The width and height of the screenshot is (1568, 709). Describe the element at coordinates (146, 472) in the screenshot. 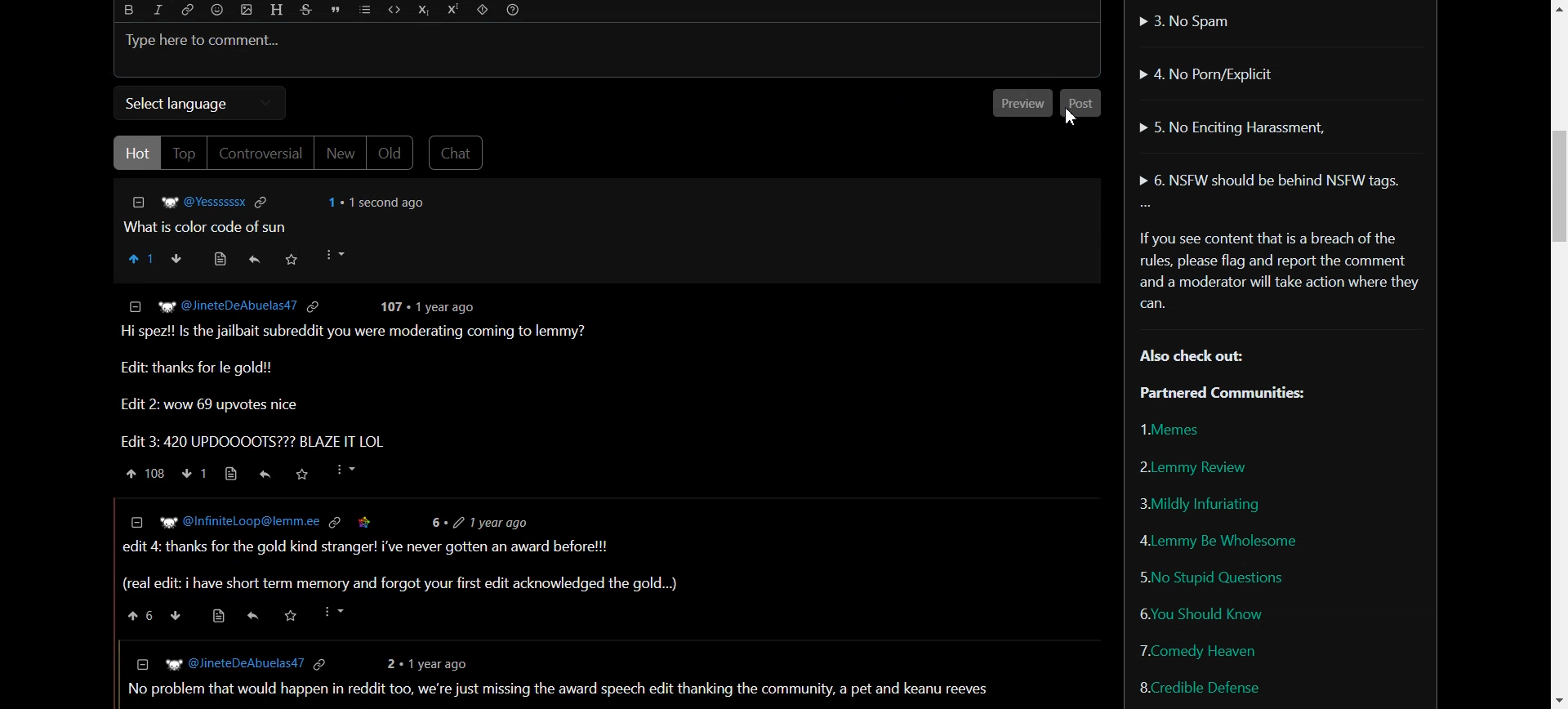

I see `upvote` at that location.